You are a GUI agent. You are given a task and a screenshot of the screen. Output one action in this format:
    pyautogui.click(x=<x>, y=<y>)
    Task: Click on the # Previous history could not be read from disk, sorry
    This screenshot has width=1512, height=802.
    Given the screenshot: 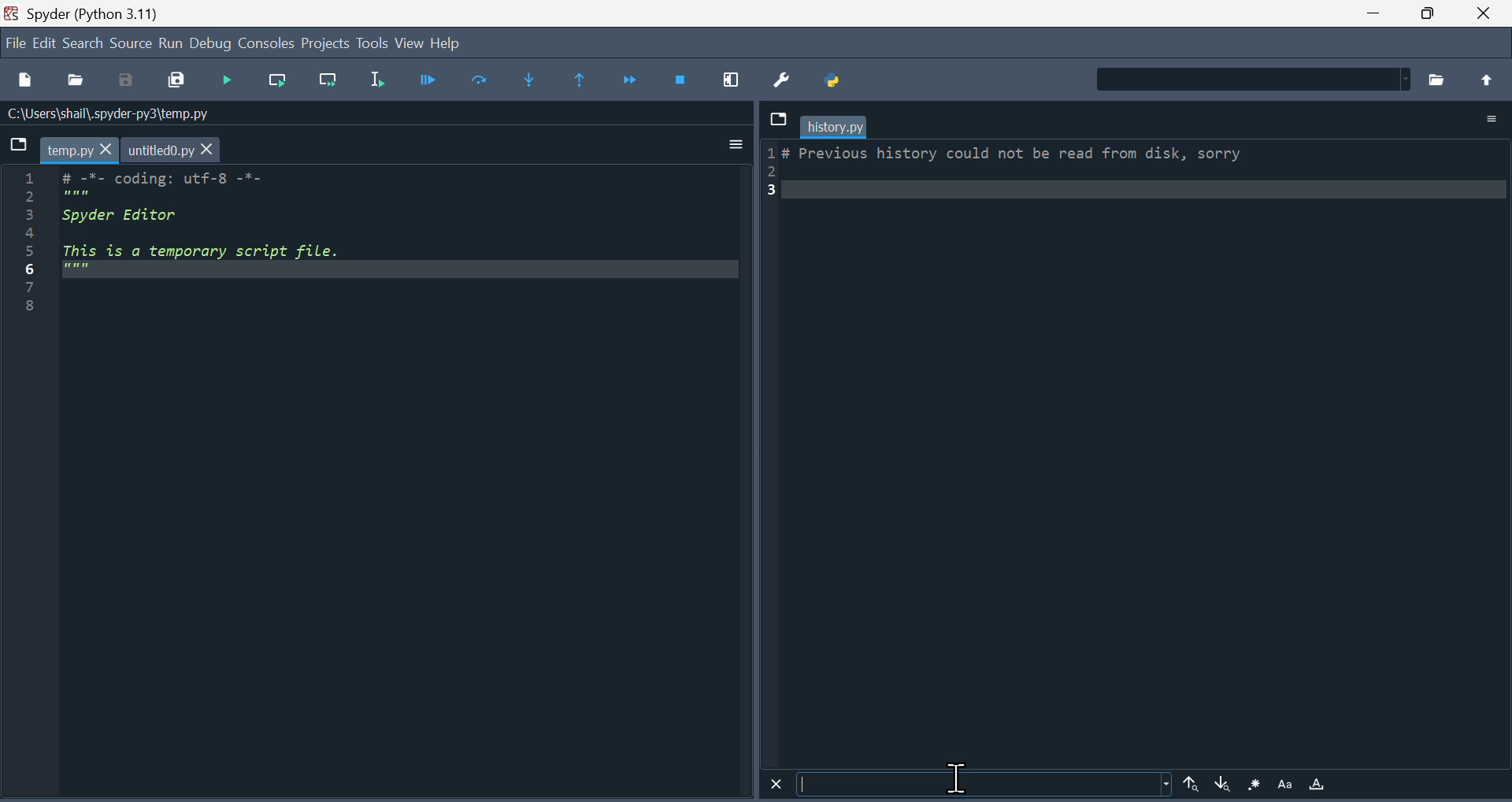 What is the action you would take?
    pyautogui.click(x=1028, y=157)
    